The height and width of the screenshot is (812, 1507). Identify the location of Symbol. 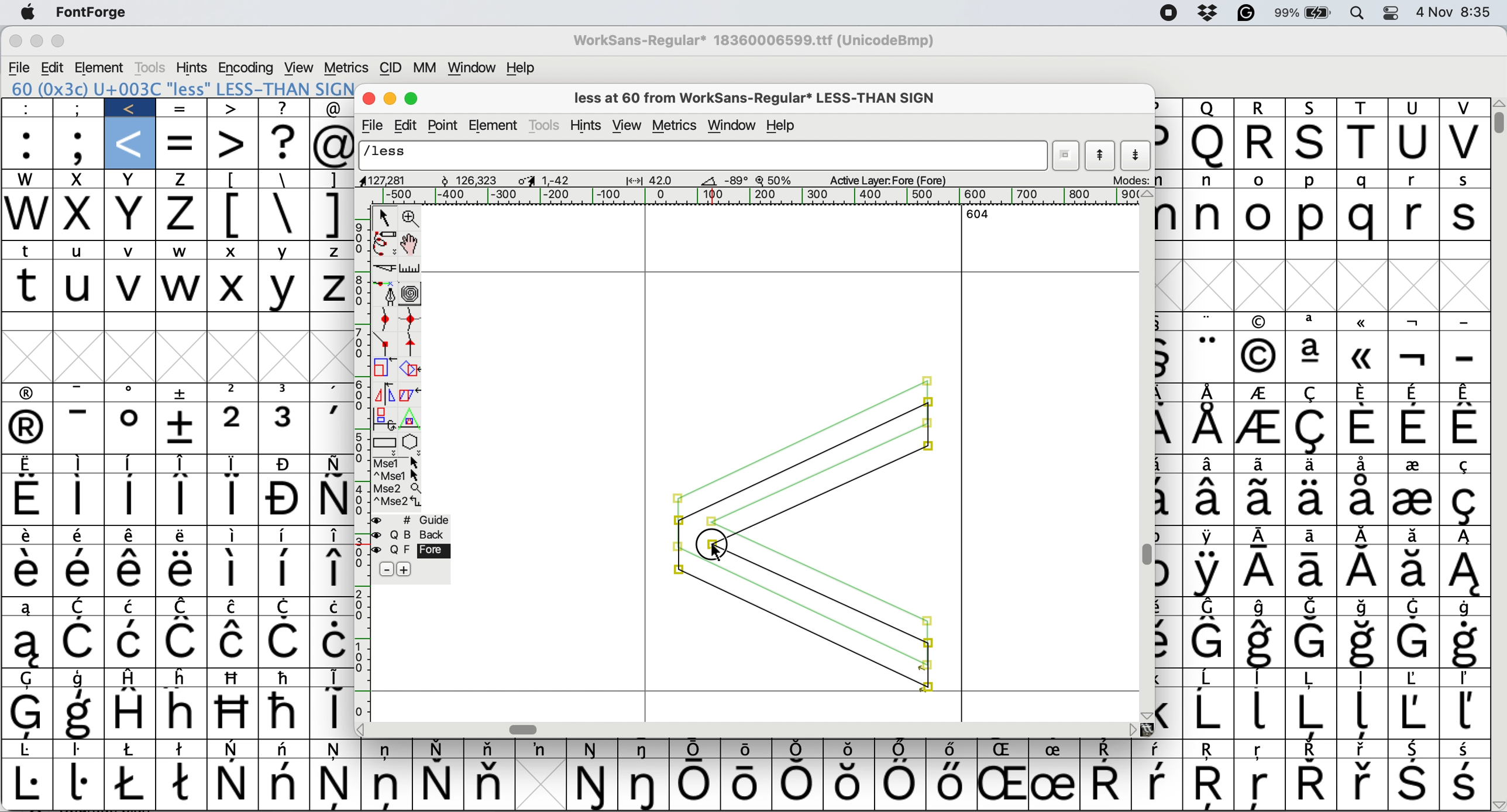
(285, 641).